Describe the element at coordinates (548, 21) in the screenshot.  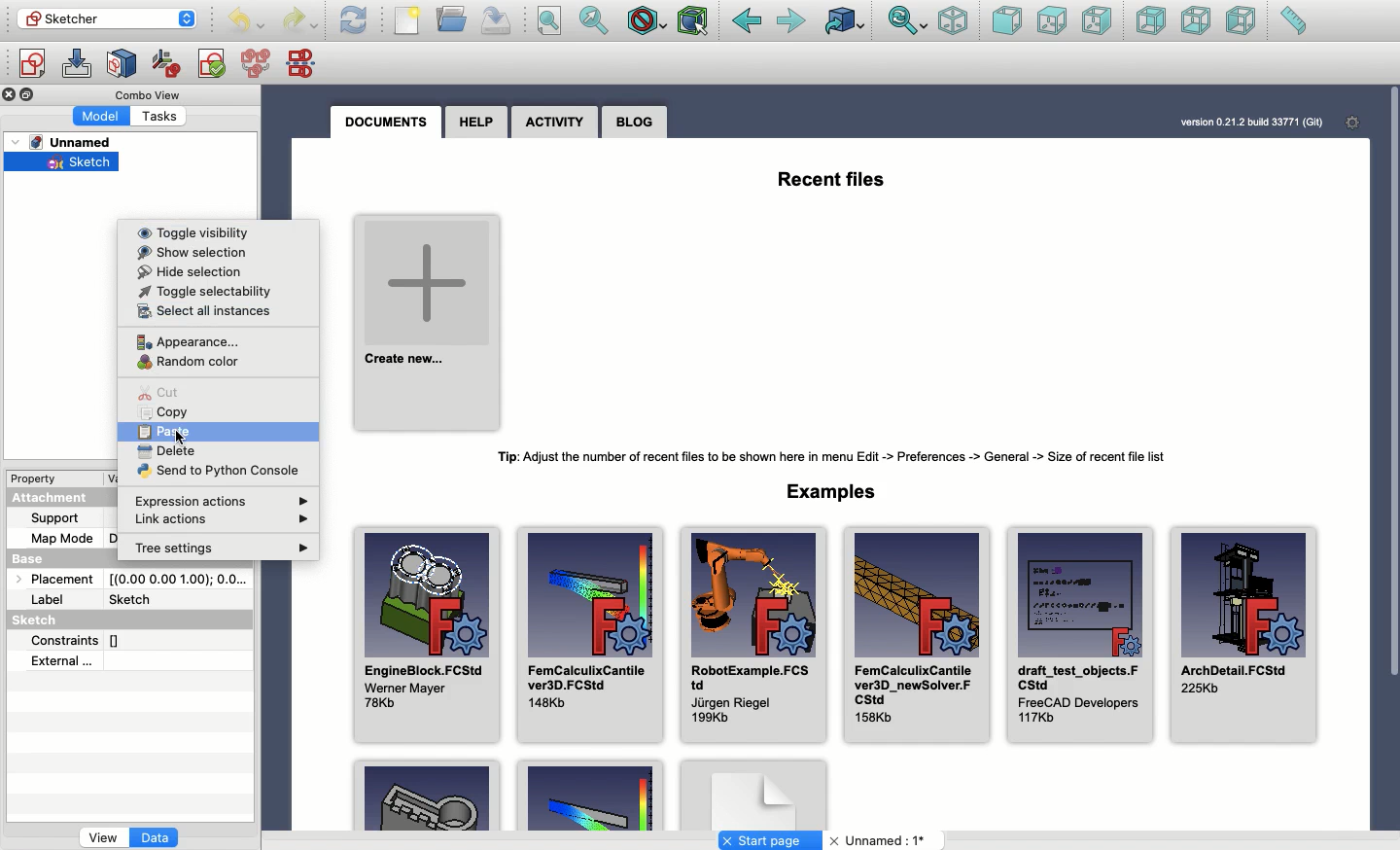
I see `Fit all` at that location.